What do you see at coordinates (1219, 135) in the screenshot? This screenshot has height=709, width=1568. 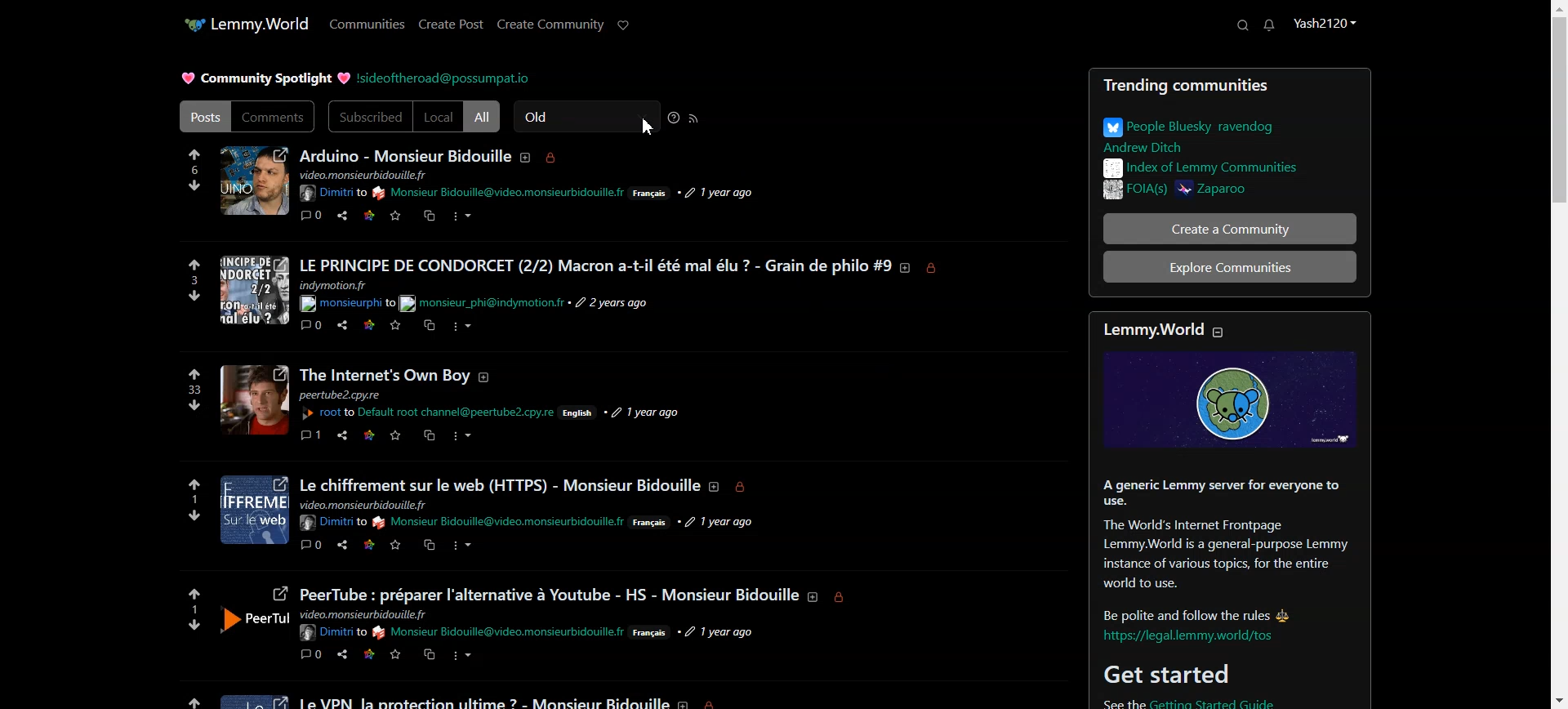 I see `Text` at bounding box center [1219, 135].